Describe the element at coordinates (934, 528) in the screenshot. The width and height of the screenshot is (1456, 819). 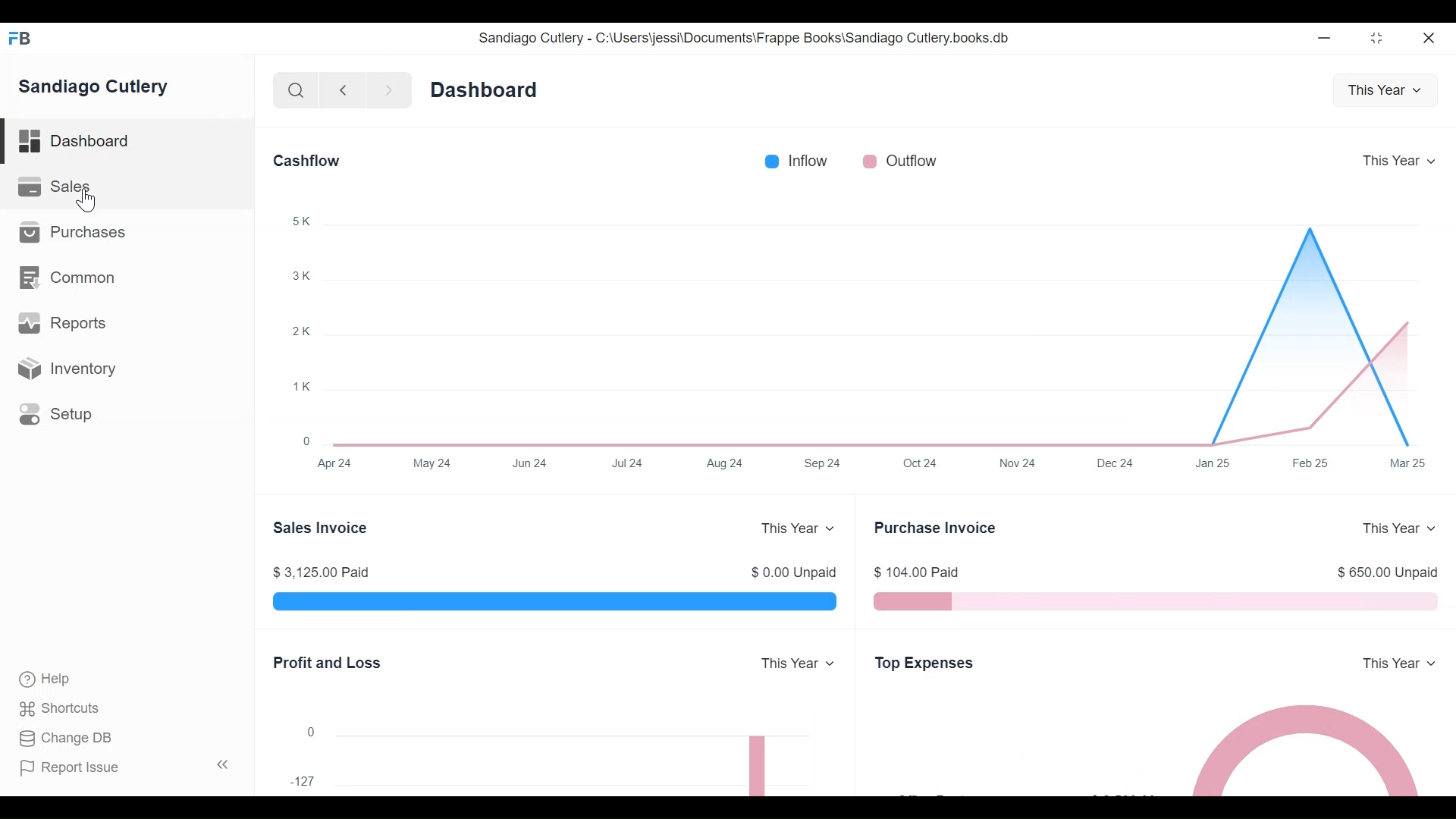
I see `Purchase invoice` at that location.